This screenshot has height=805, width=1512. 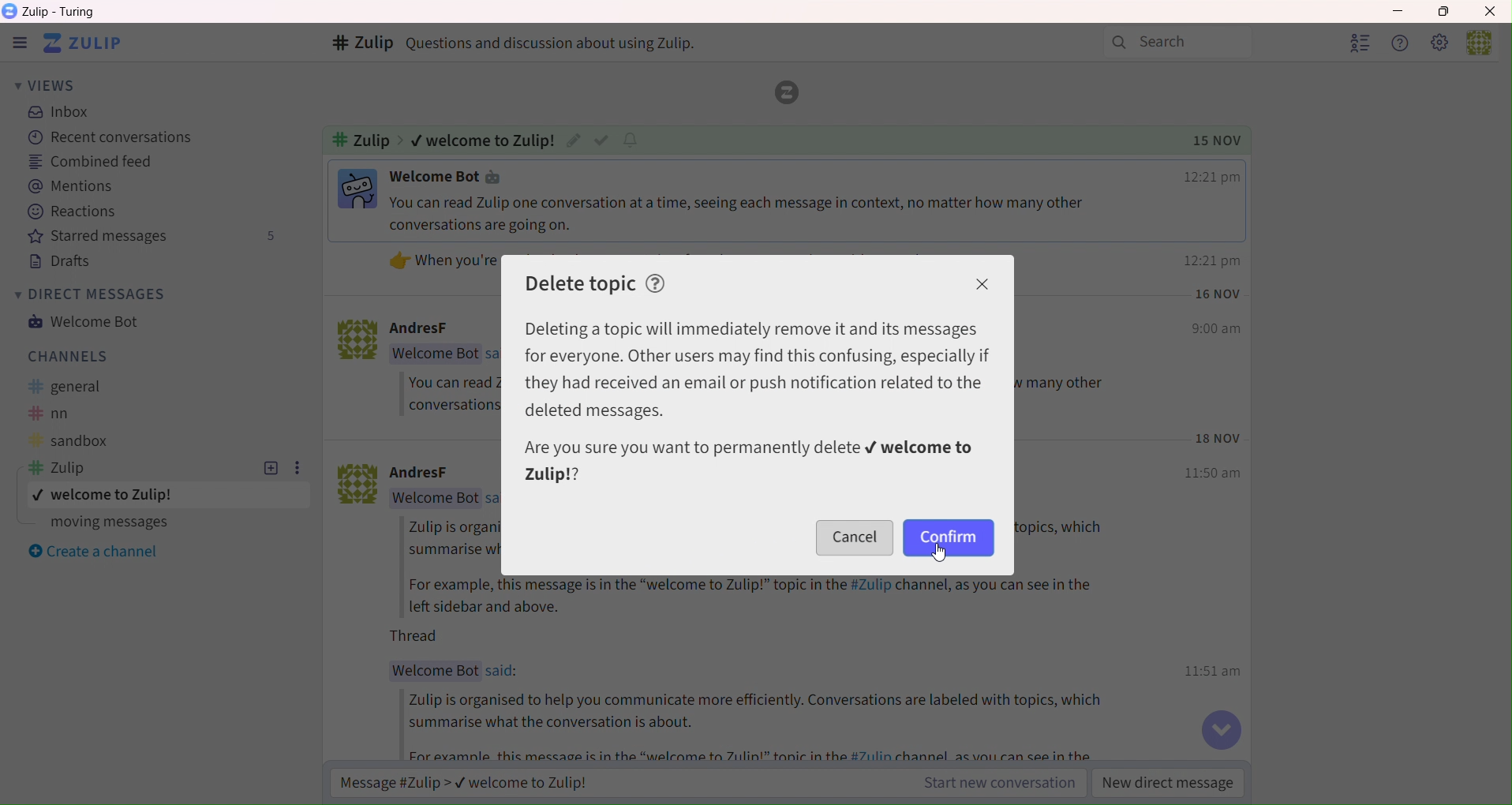 What do you see at coordinates (758, 371) in the screenshot?
I see `Text` at bounding box center [758, 371].